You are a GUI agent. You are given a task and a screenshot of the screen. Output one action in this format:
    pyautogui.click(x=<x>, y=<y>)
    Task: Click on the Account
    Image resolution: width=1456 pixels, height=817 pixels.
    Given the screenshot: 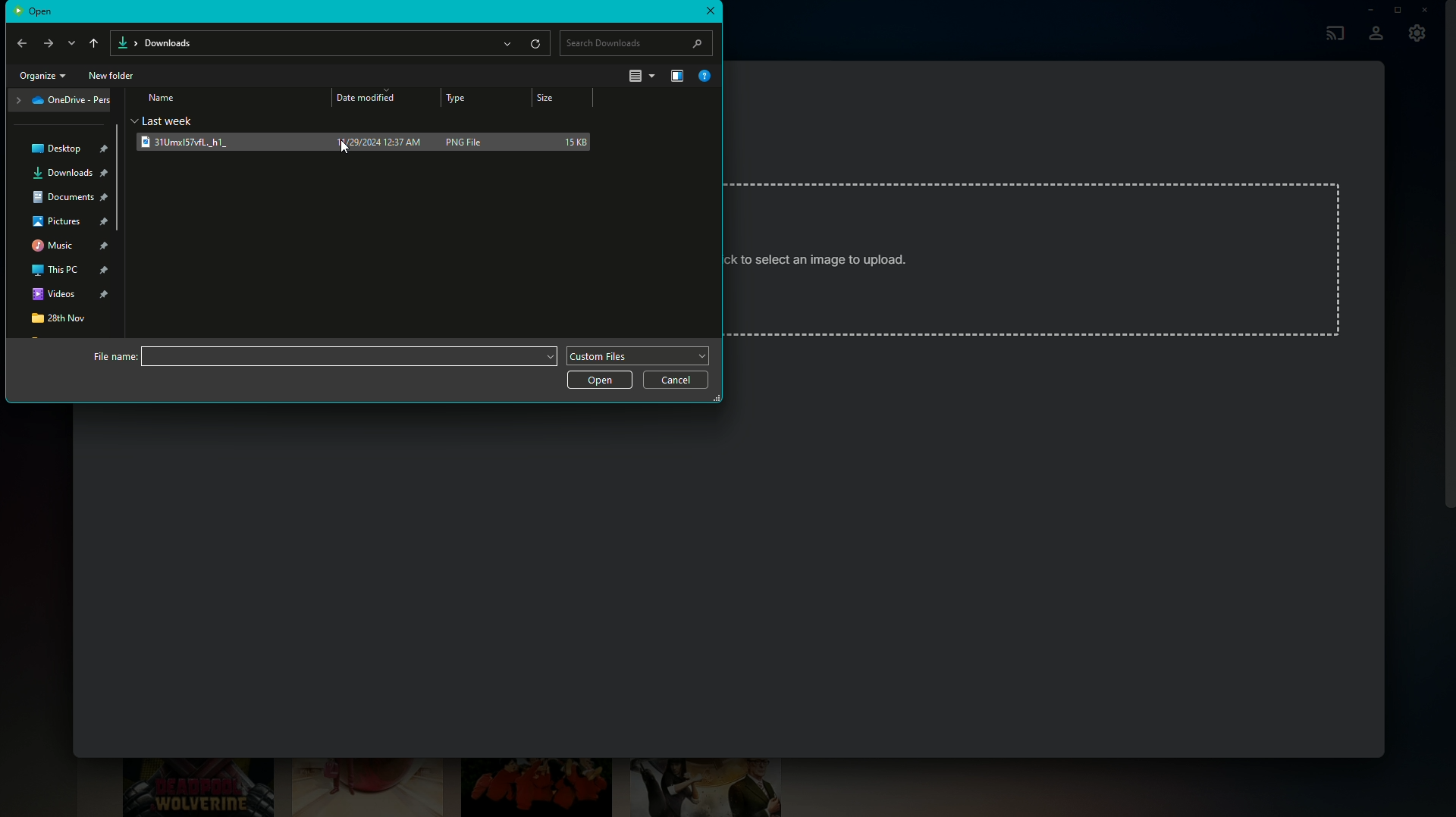 What is the action you would take?
    pyautogui.click(x=1376, y=35)
    